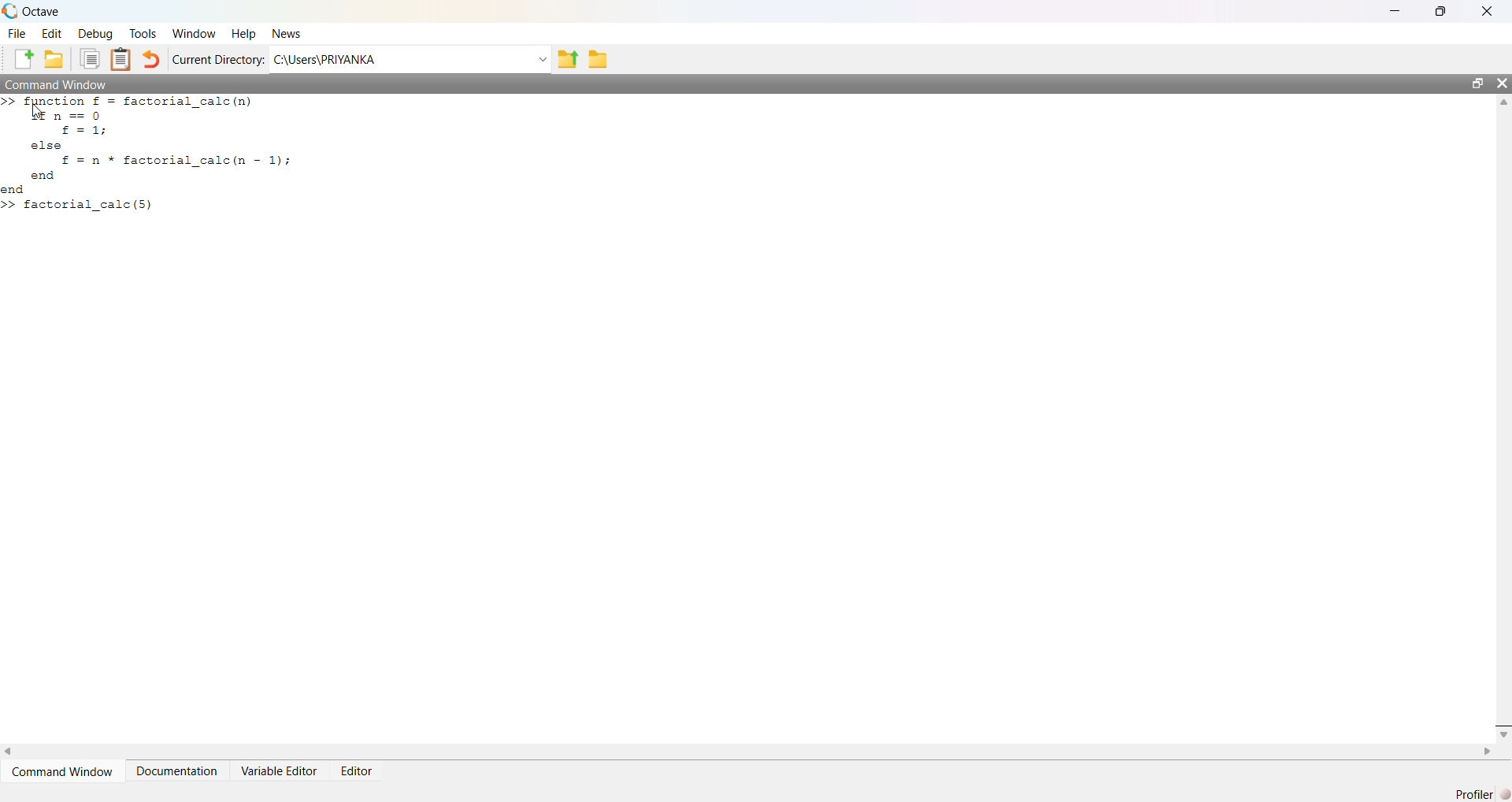 The width and height of the screenshot is (1512, 802). I want to click on close, so click(1502, 83).